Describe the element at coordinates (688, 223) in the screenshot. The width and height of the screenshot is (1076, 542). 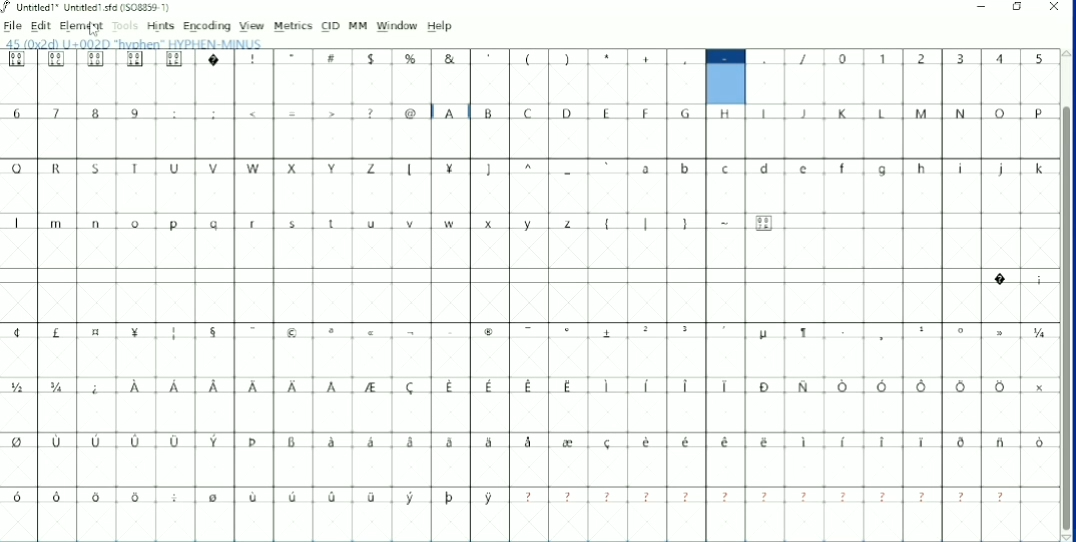
I see `Symbols` at that location.